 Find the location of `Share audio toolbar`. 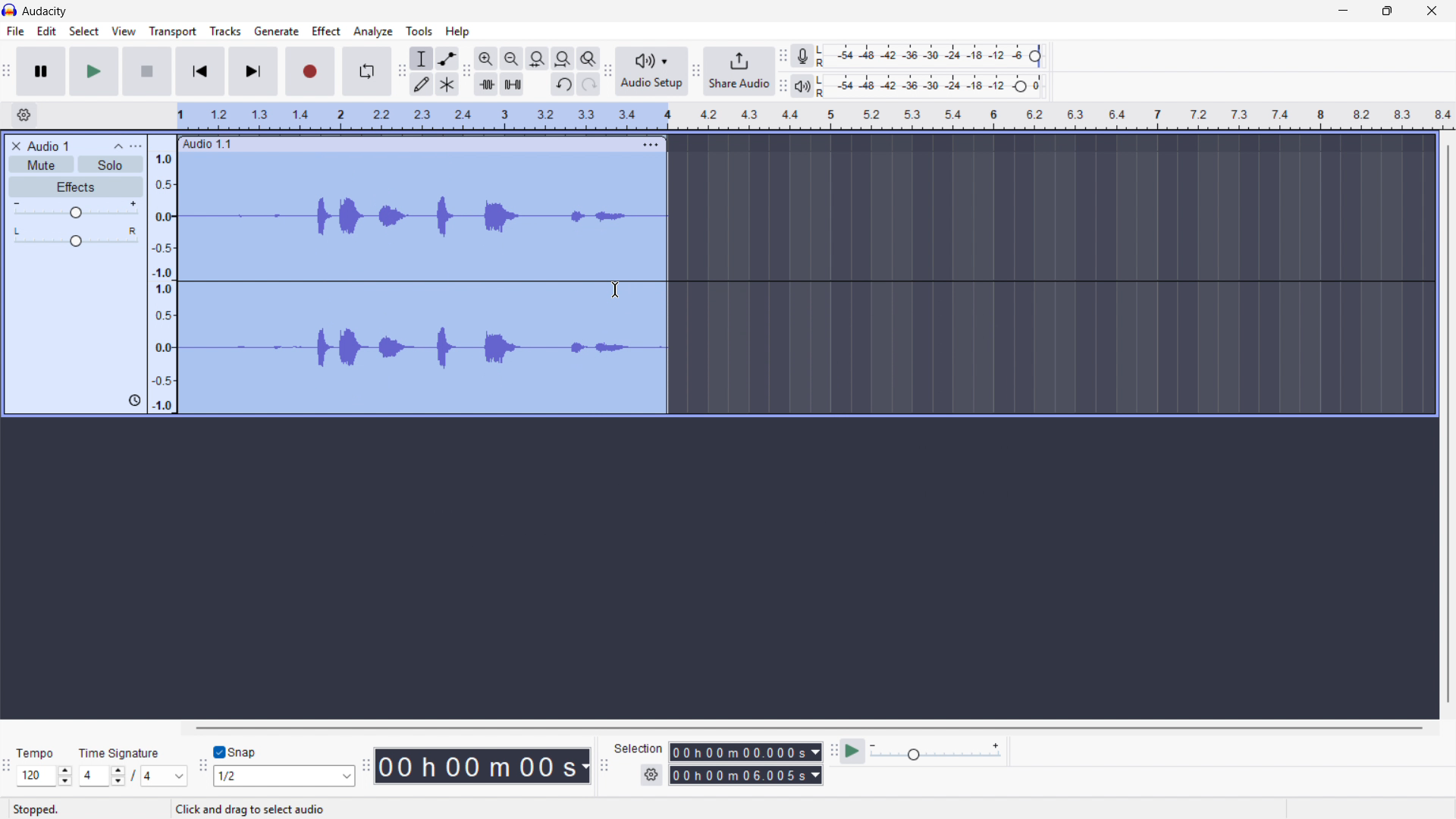

Share audio toolbar is located at coordinates (696, 71).